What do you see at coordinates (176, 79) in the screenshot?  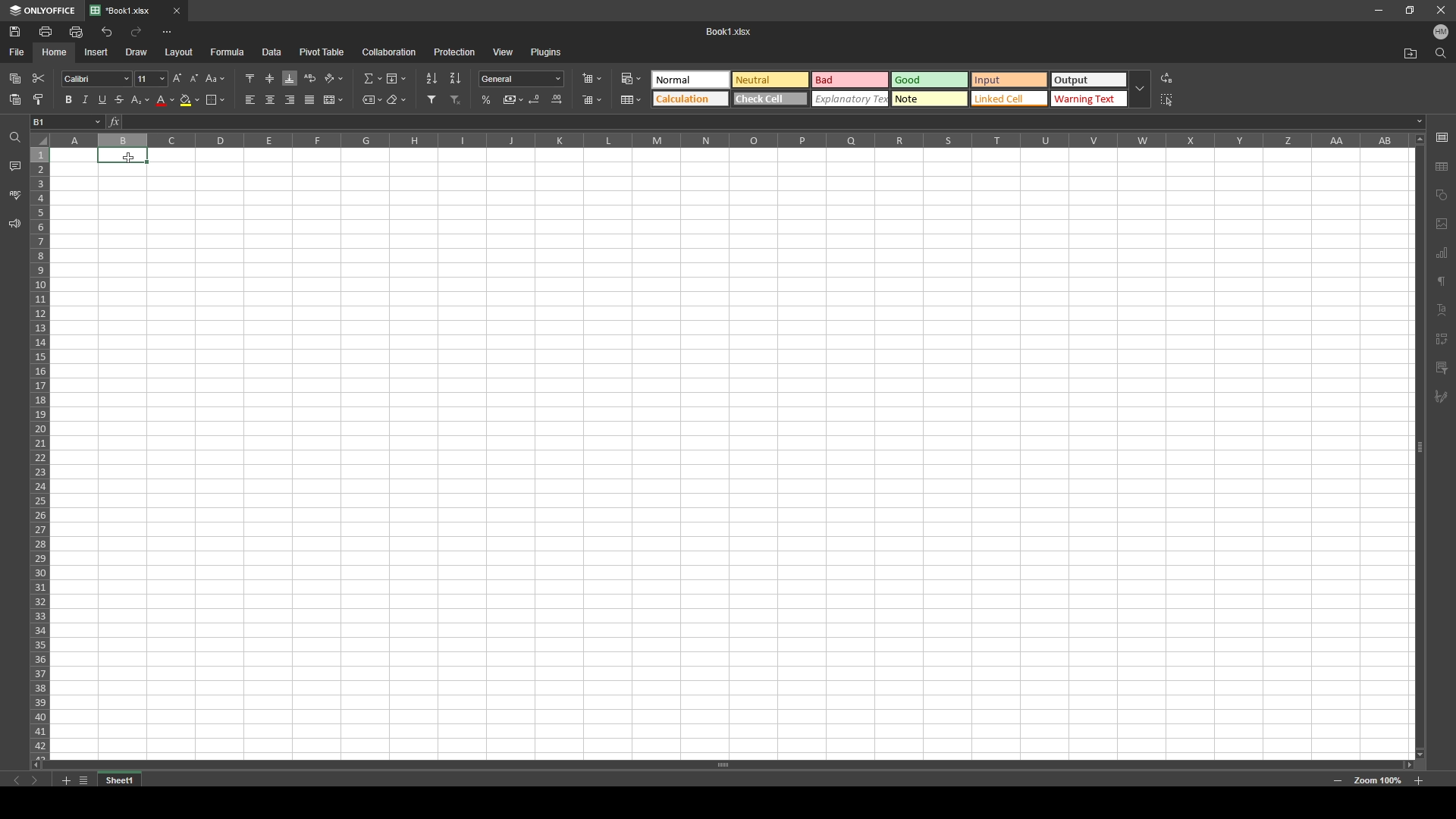 I see `increment font size` at bounding box center [176, 79].